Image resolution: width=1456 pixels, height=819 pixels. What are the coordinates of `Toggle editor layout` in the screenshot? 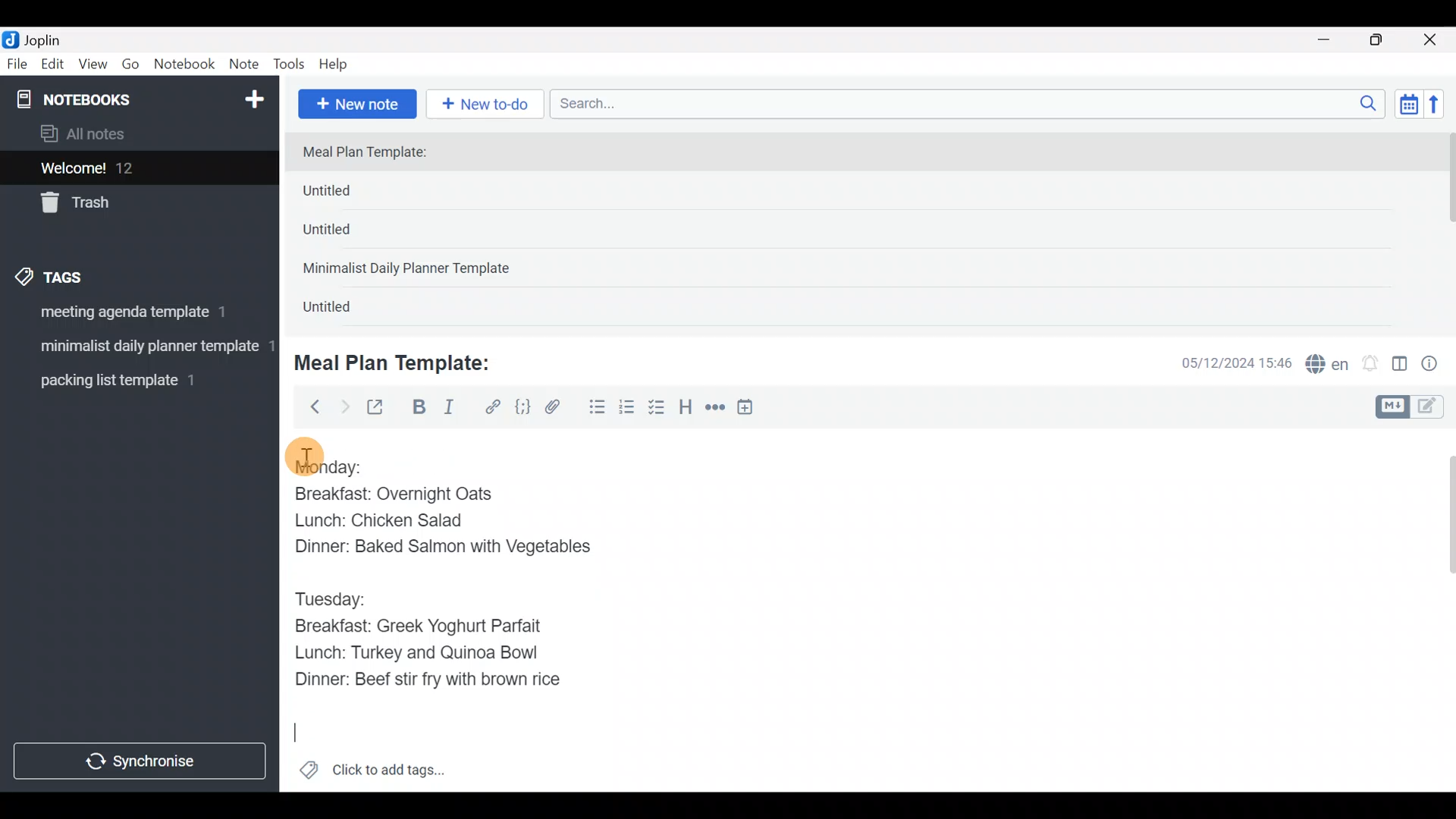 It's located at (1401, 366).